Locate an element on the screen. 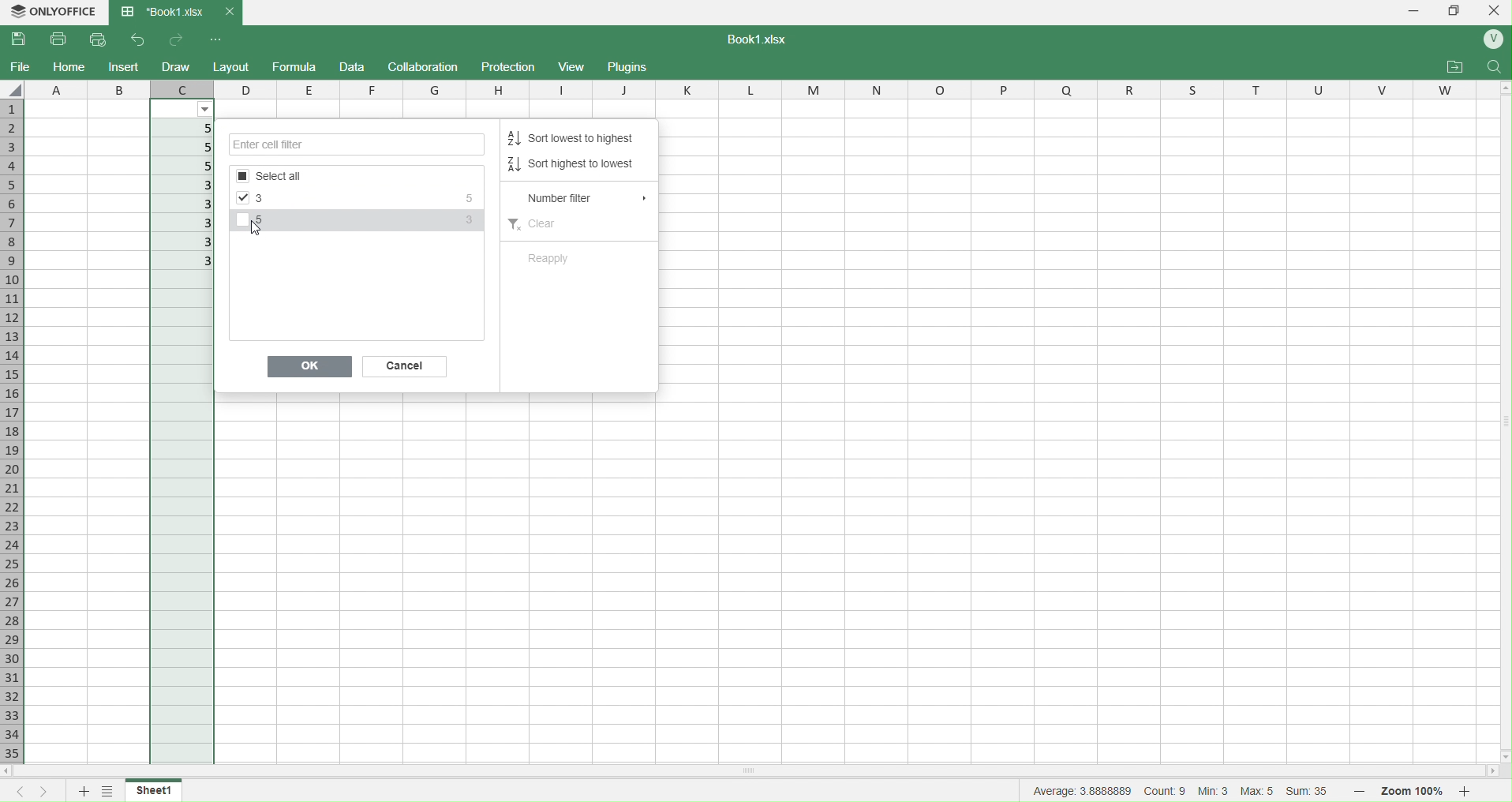 This screenshot has width=1512, height=802. Text is located at coordinates (753, 39).